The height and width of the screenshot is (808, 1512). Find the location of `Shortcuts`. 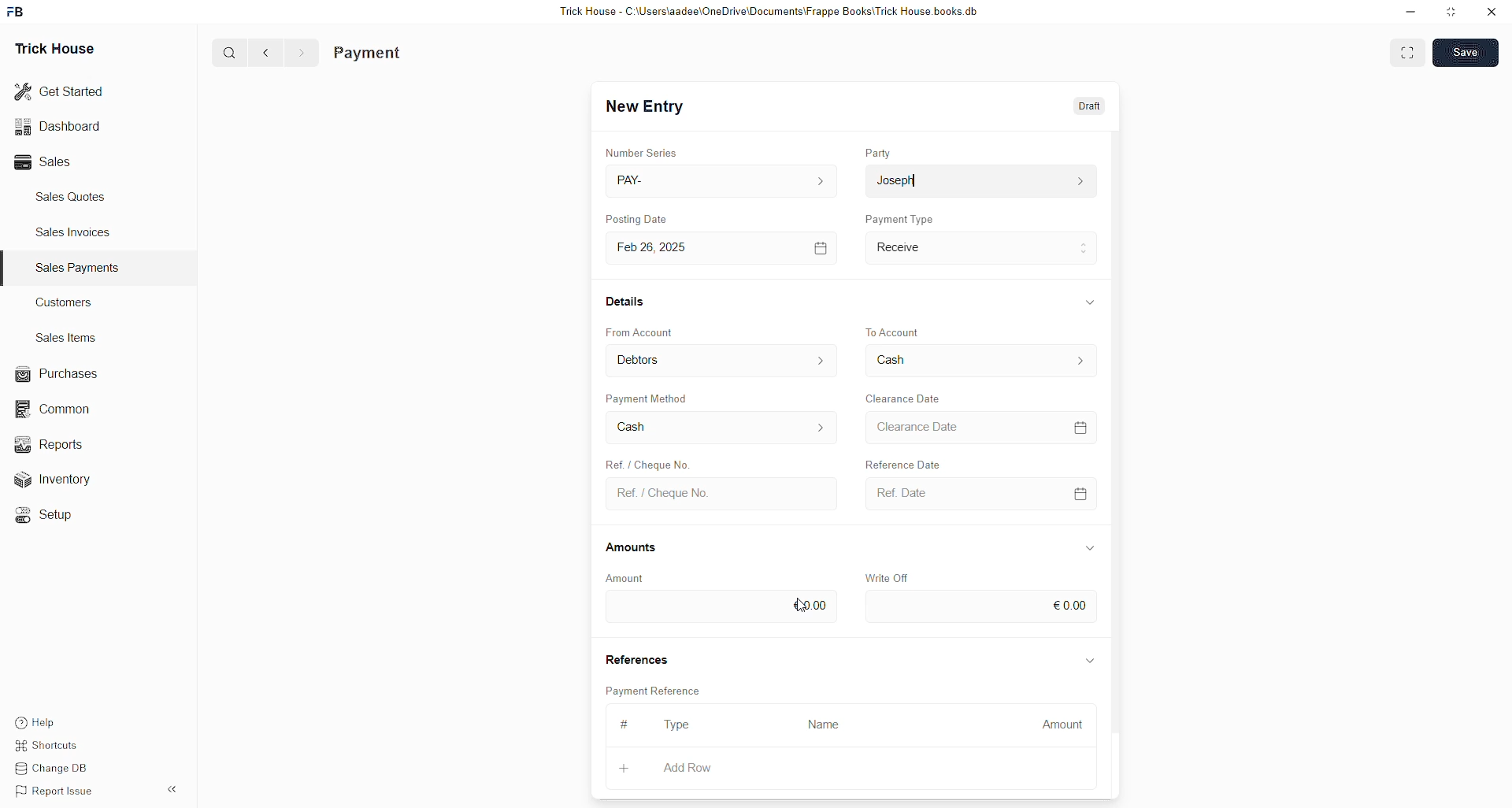

Shortcuts is located at coordinates (53, 743).